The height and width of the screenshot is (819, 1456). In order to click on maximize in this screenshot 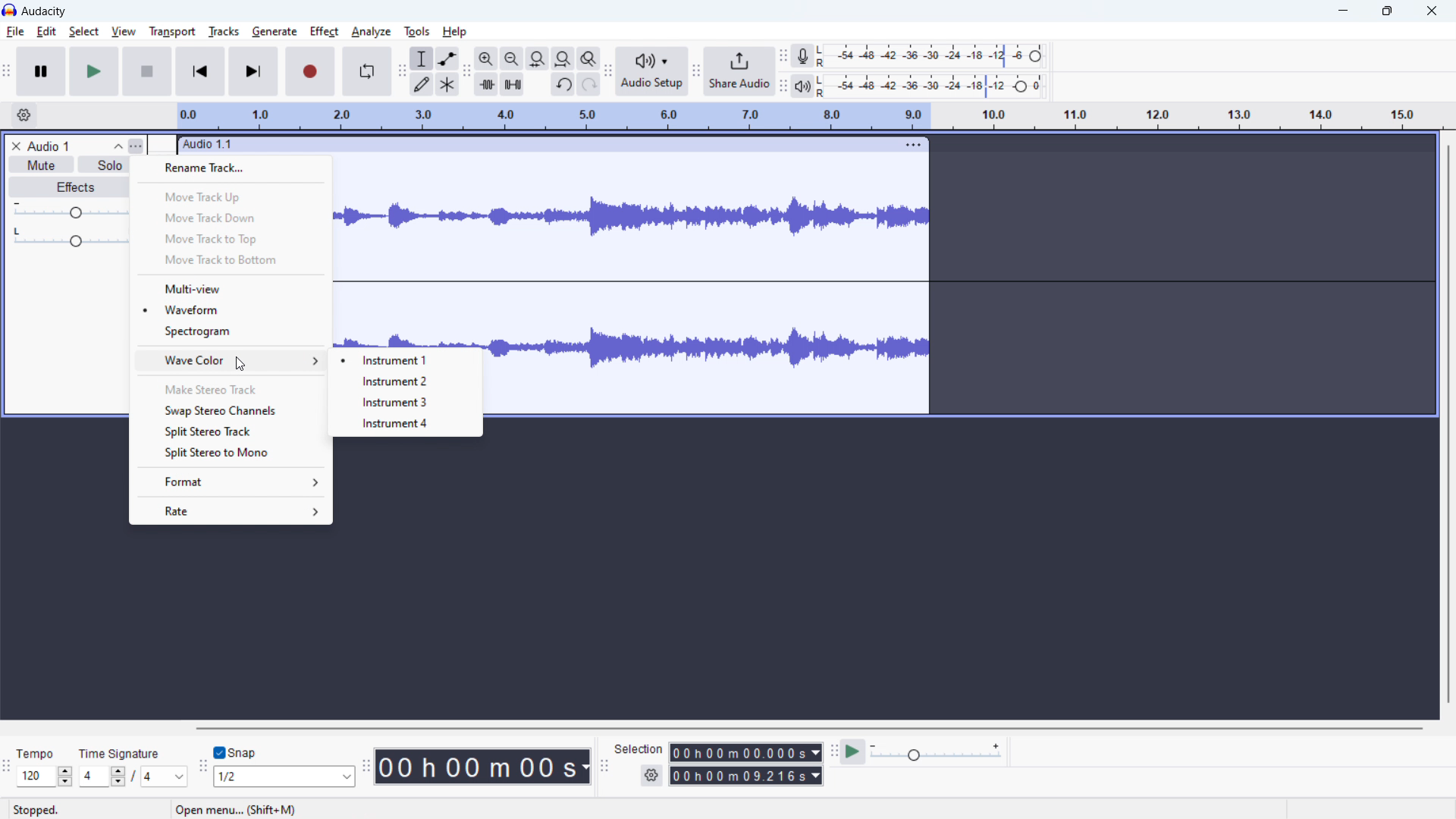, I will do `click(1385, 11)`.